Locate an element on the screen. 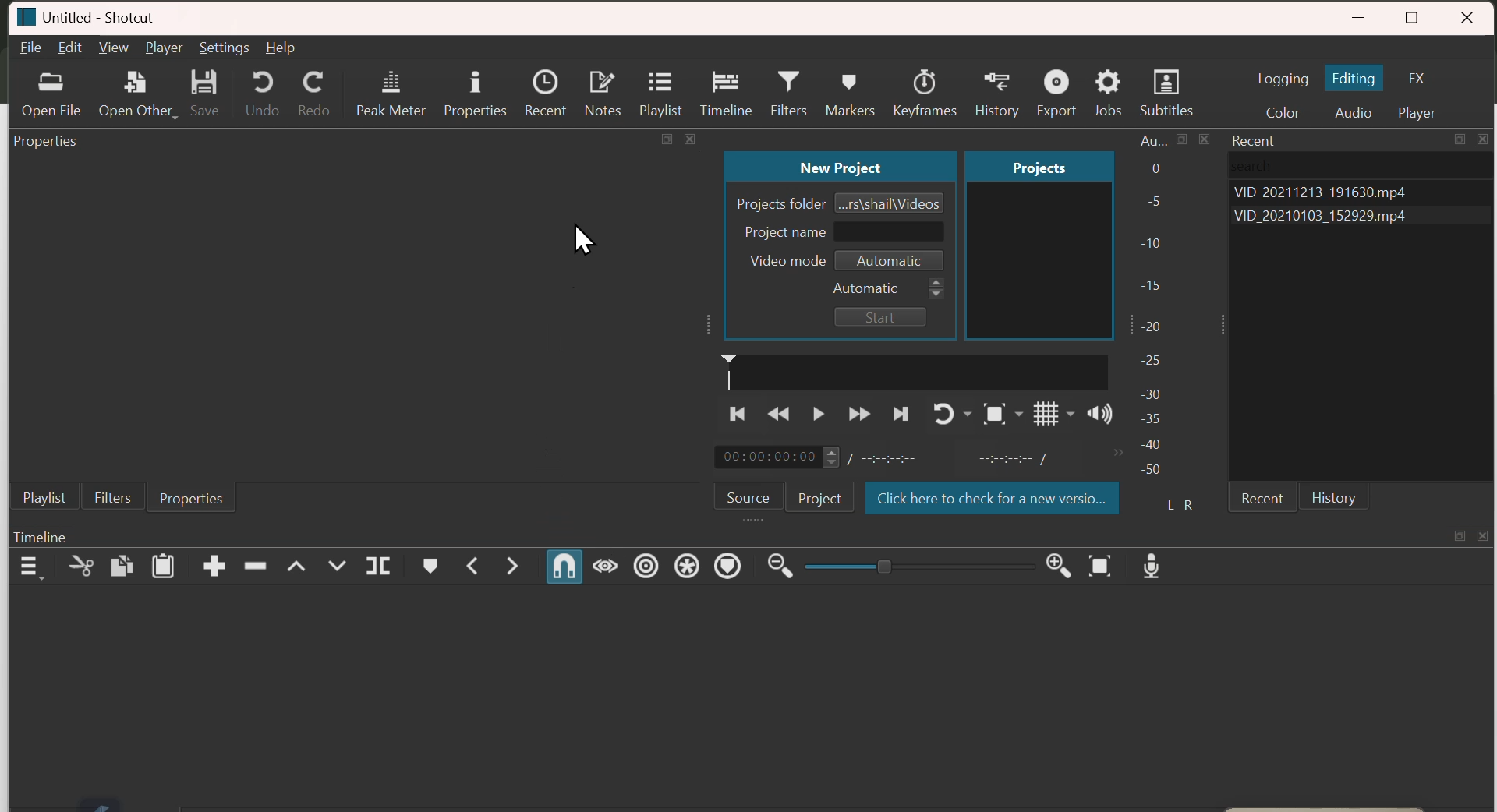 Image resolution: width=1497 pixels, height=812 pixels. Lift is located at coordinates (297, 567).